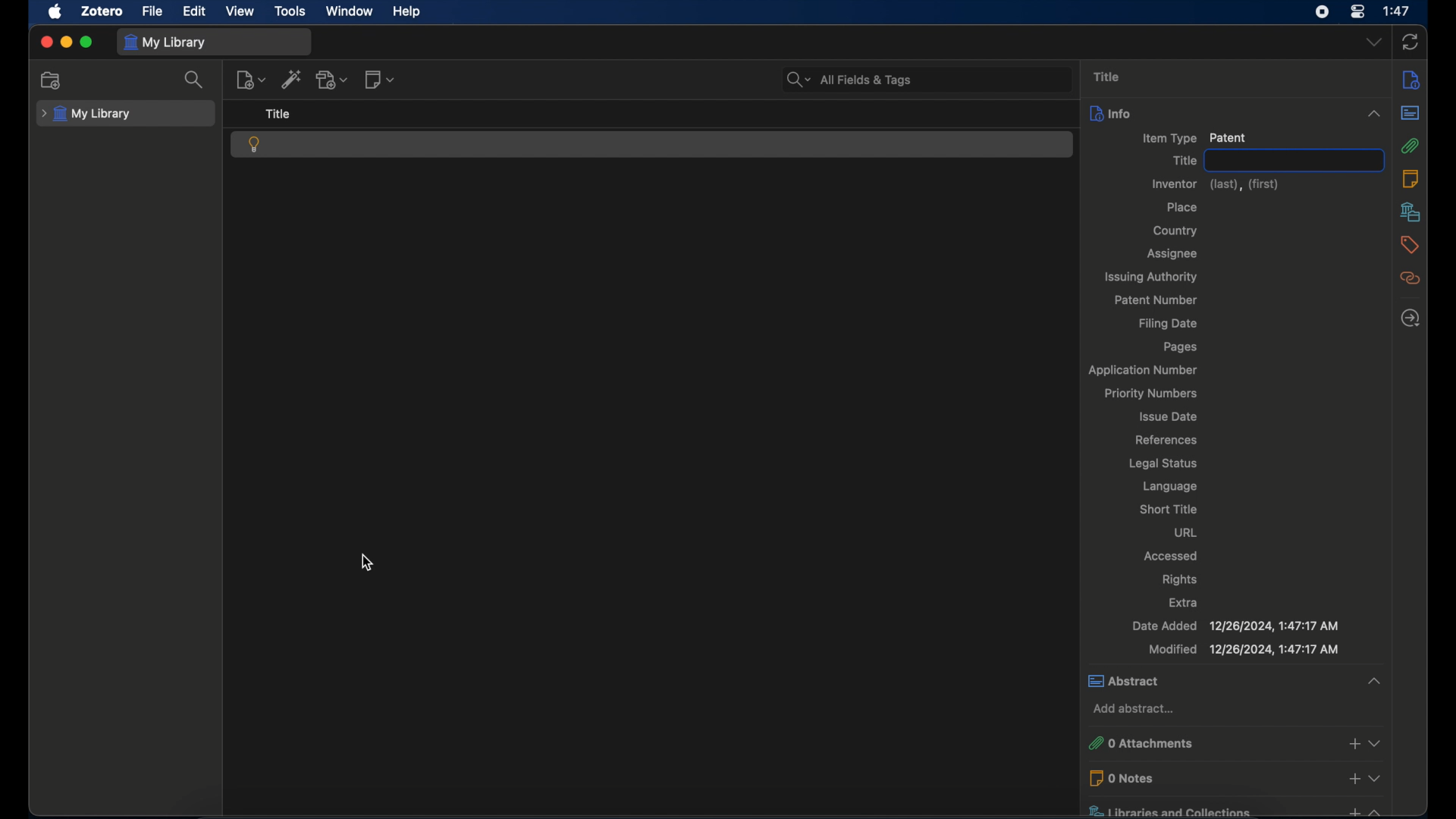  I want to click on url, so click(1186, 532).